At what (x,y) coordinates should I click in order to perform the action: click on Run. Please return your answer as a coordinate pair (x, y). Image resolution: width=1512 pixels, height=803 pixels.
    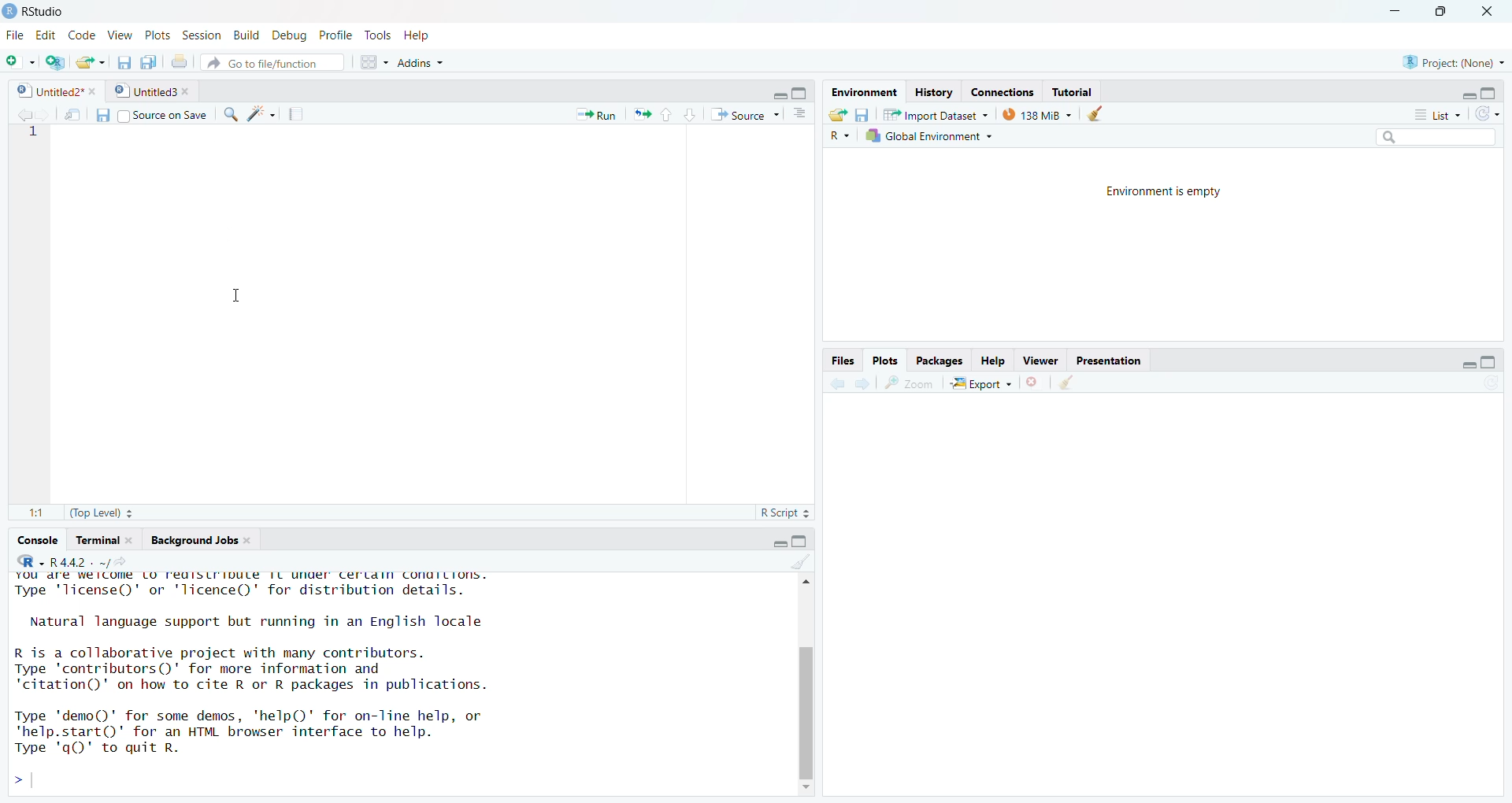
    Looking at the image, I should click on (589, 115).